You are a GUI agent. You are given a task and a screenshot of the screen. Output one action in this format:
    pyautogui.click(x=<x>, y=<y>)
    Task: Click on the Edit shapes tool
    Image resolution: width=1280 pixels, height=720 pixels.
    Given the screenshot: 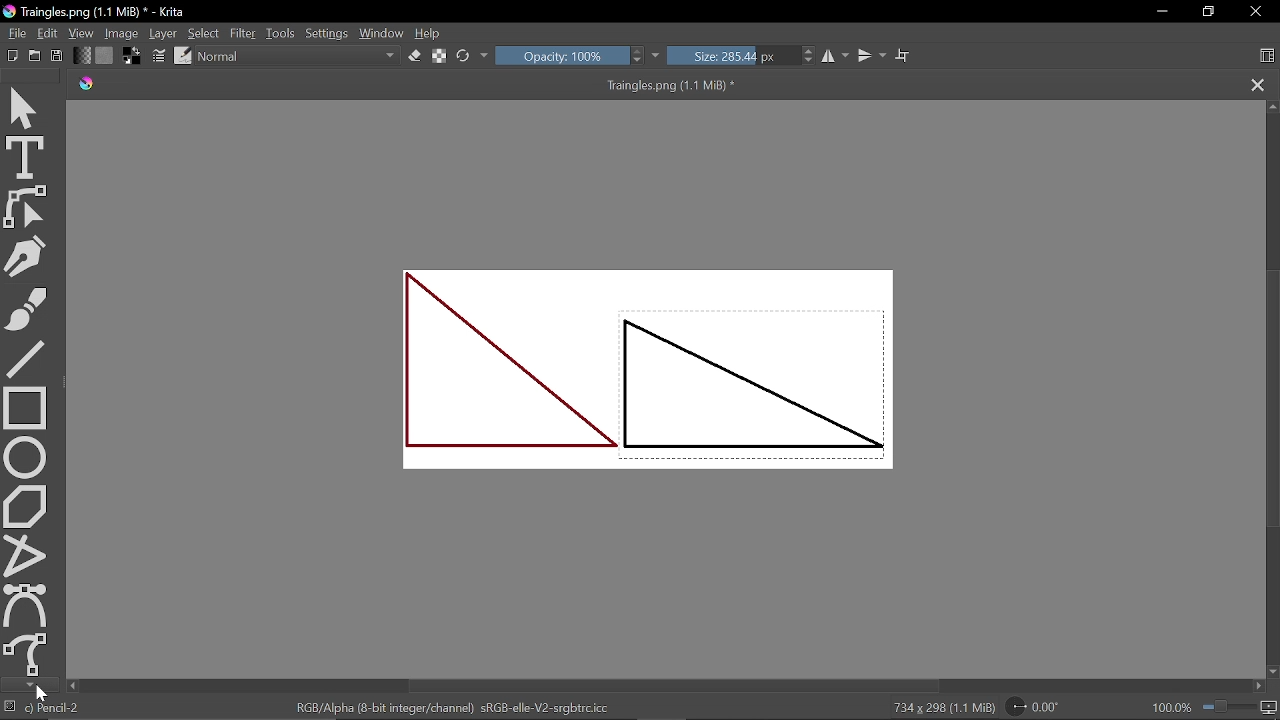 What is the action you would take?
    pyautogui.click(x=32, y=207)
    